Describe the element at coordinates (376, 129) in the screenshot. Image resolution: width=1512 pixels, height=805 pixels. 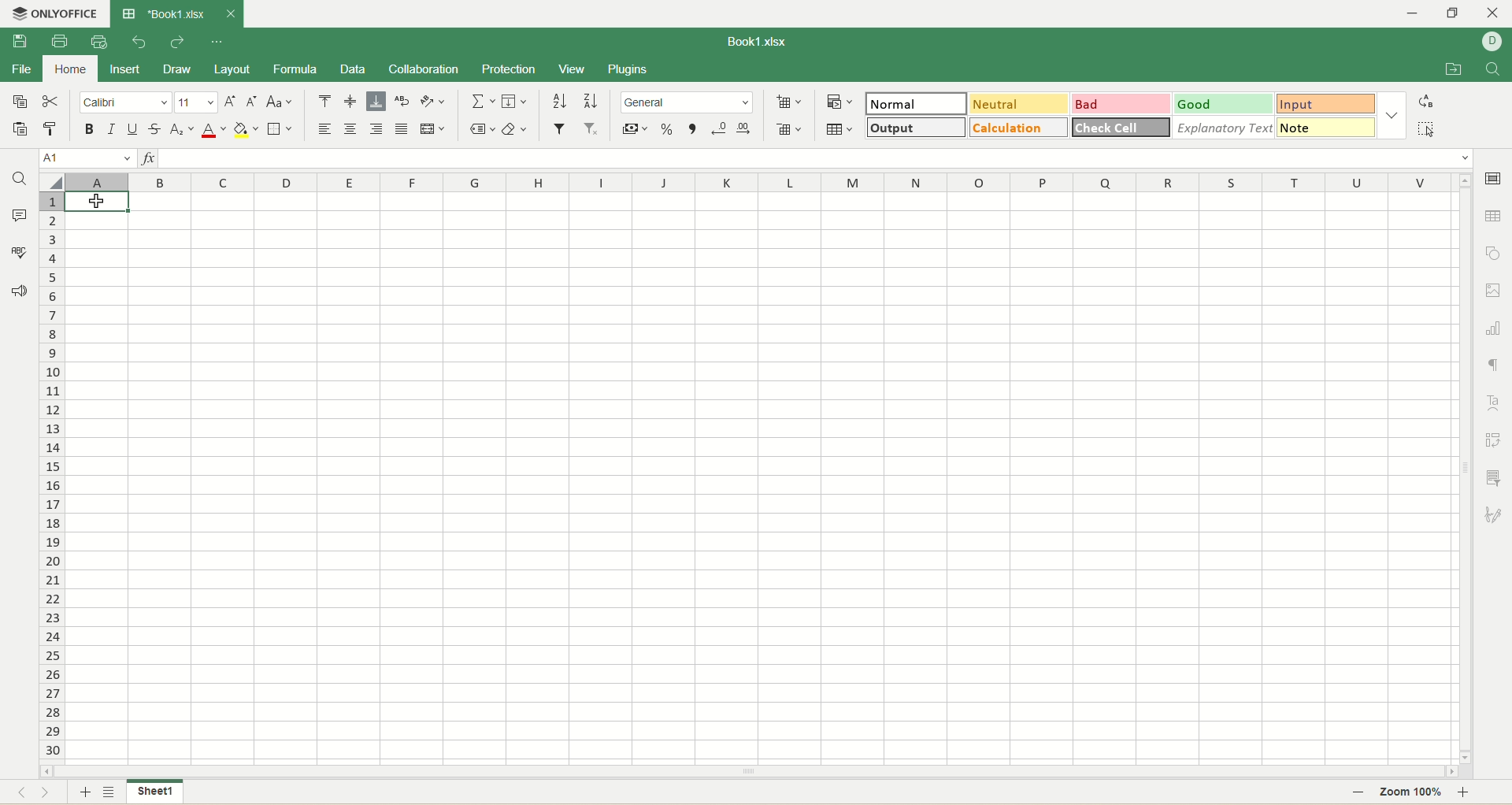
I see `align right` at that location.